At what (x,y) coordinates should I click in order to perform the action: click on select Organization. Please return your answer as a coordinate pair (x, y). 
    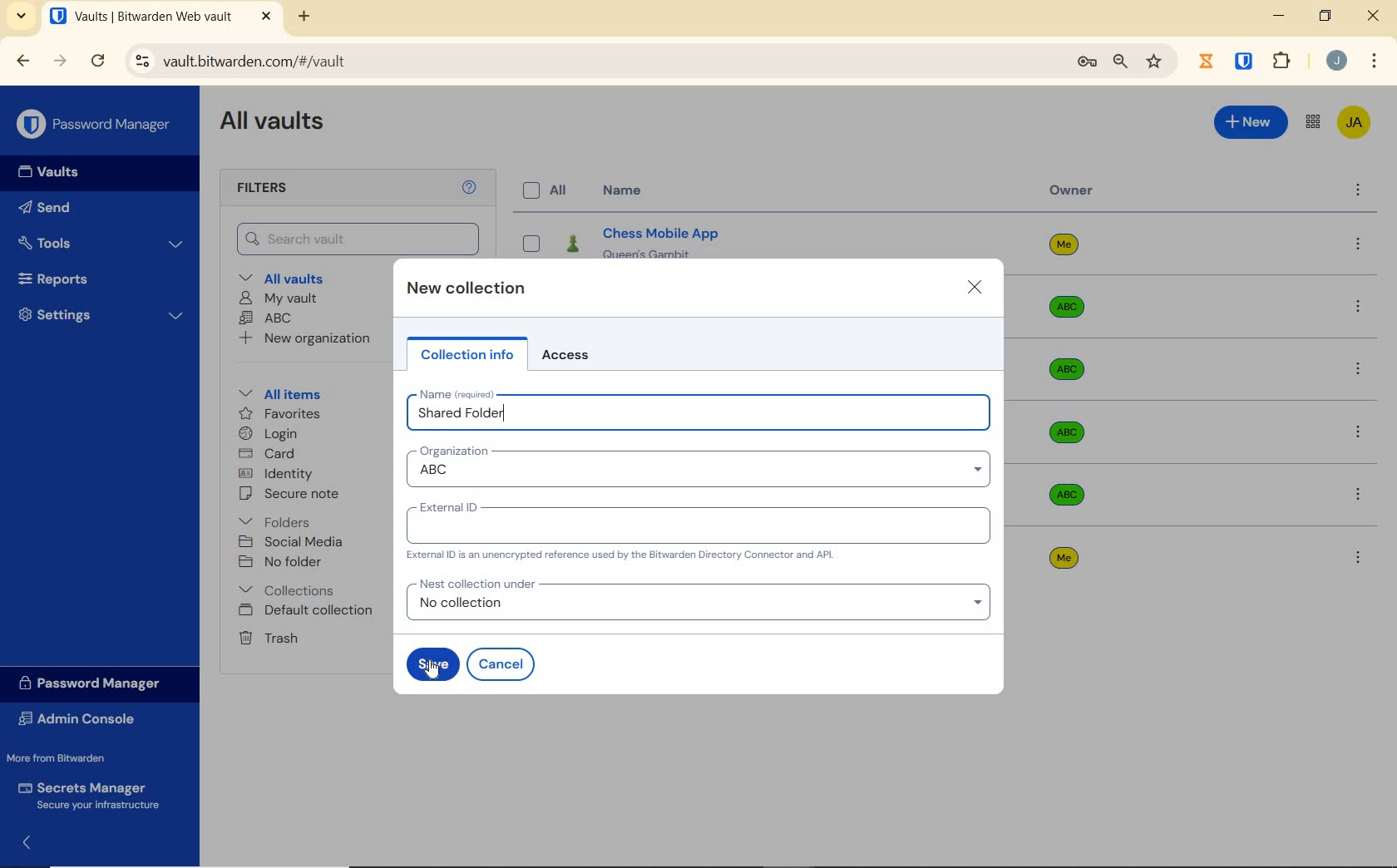
    Looking at the image, I should click on (697, 473).